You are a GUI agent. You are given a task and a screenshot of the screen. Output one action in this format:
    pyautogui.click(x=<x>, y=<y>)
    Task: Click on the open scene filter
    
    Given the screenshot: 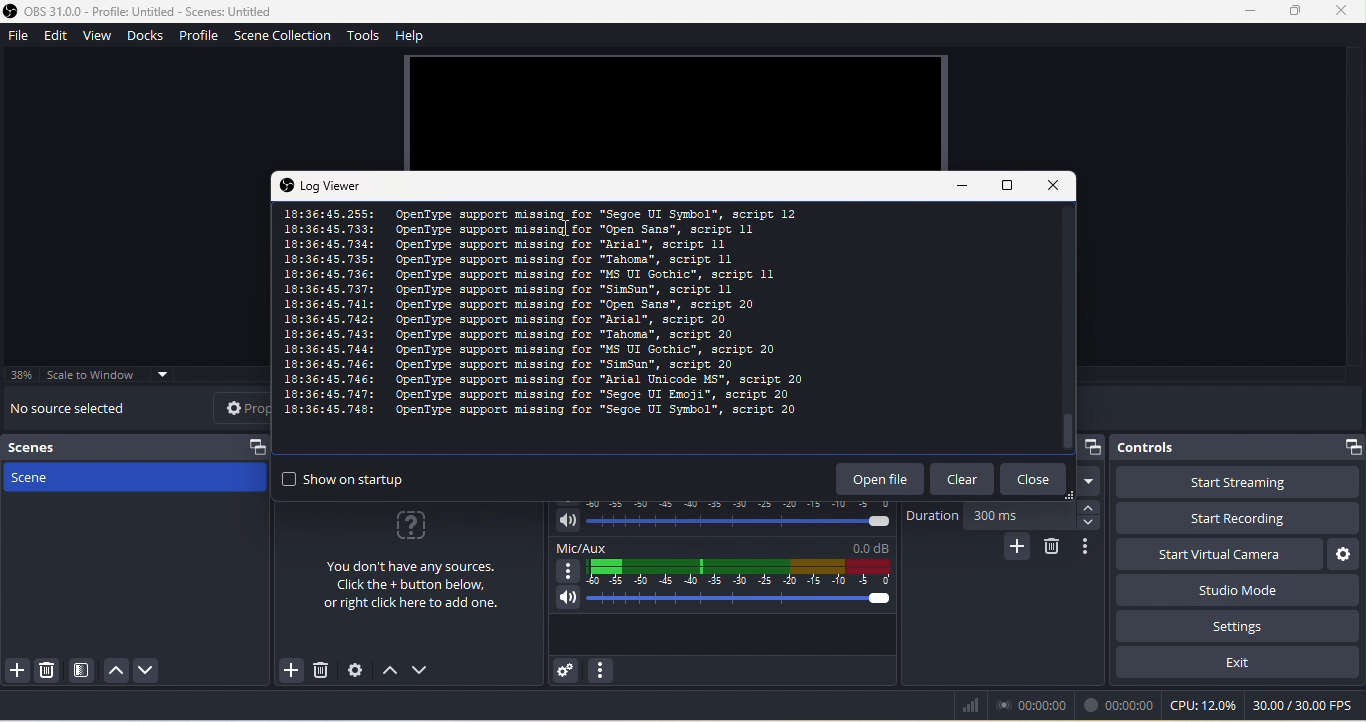 What is the action you would take?
    pyautogui.click(x=83, y=671)
    